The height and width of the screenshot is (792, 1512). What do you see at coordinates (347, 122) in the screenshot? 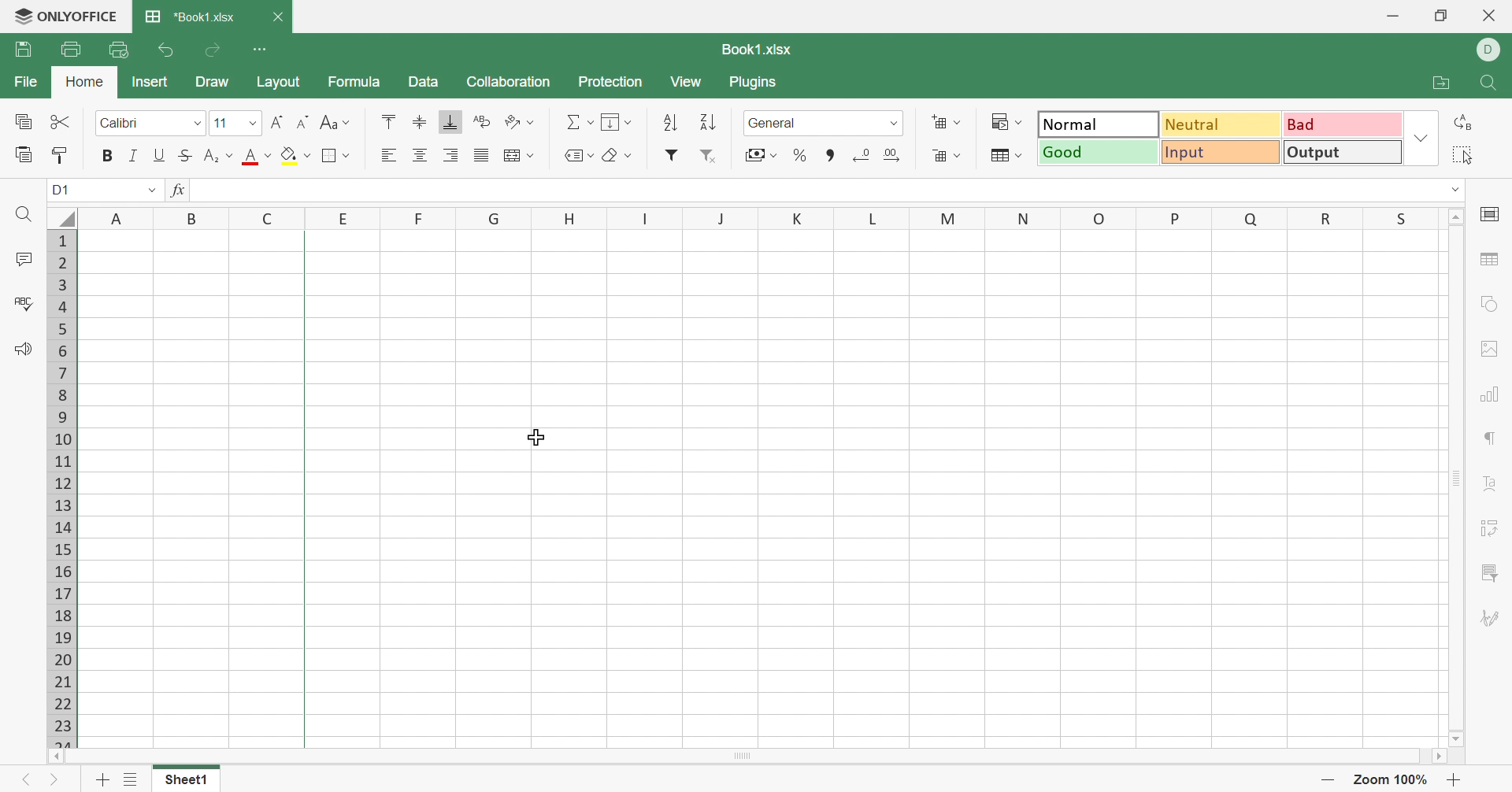
I see `Drop Down` at bounding box center [347, 122].